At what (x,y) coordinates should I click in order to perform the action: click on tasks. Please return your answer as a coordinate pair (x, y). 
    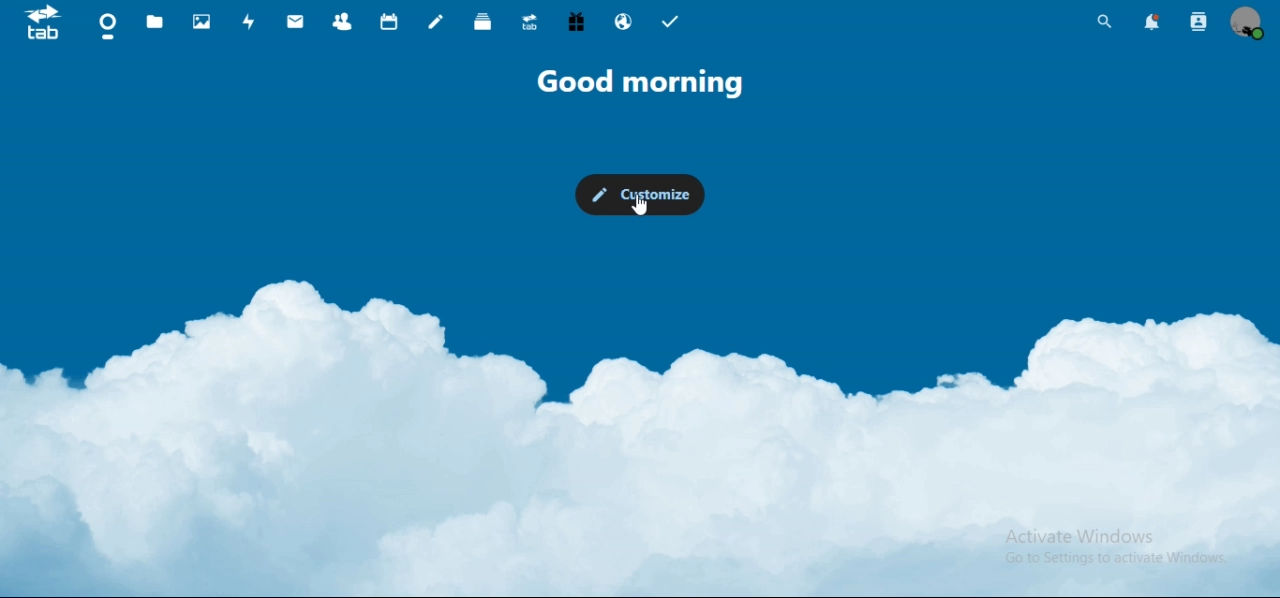
    Looking at the image, I should click on (669, 22).